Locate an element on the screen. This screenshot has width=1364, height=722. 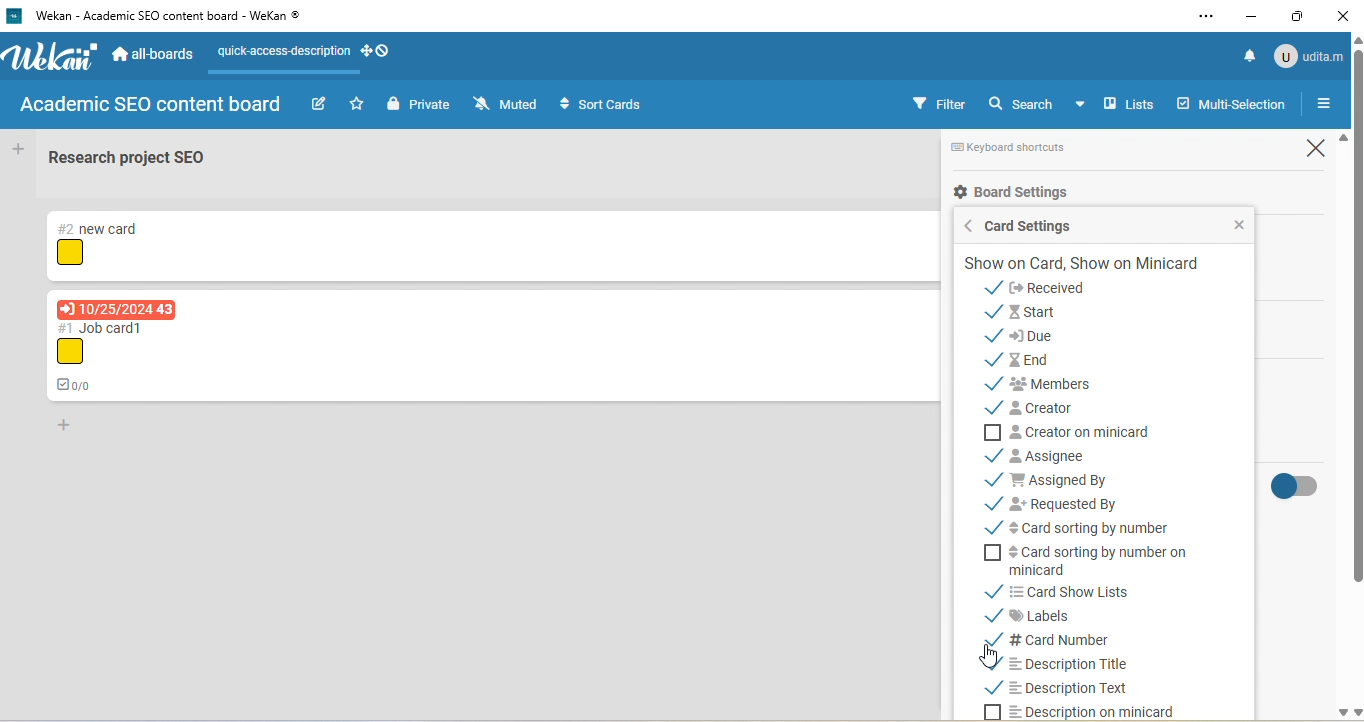
keyboard shortcuts is located at coordinates (1022, 151).